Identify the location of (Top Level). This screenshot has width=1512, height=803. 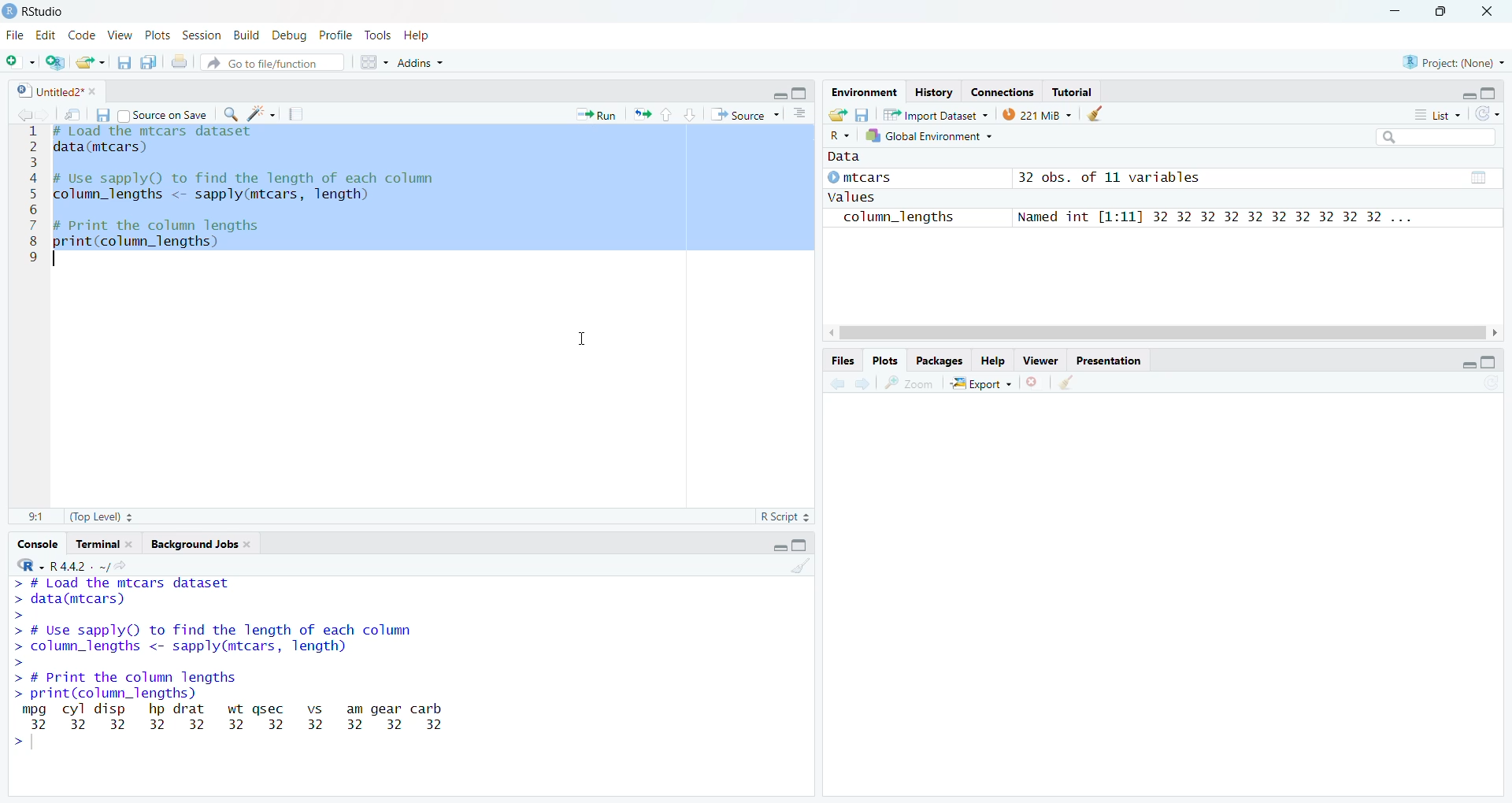
(101, 517).